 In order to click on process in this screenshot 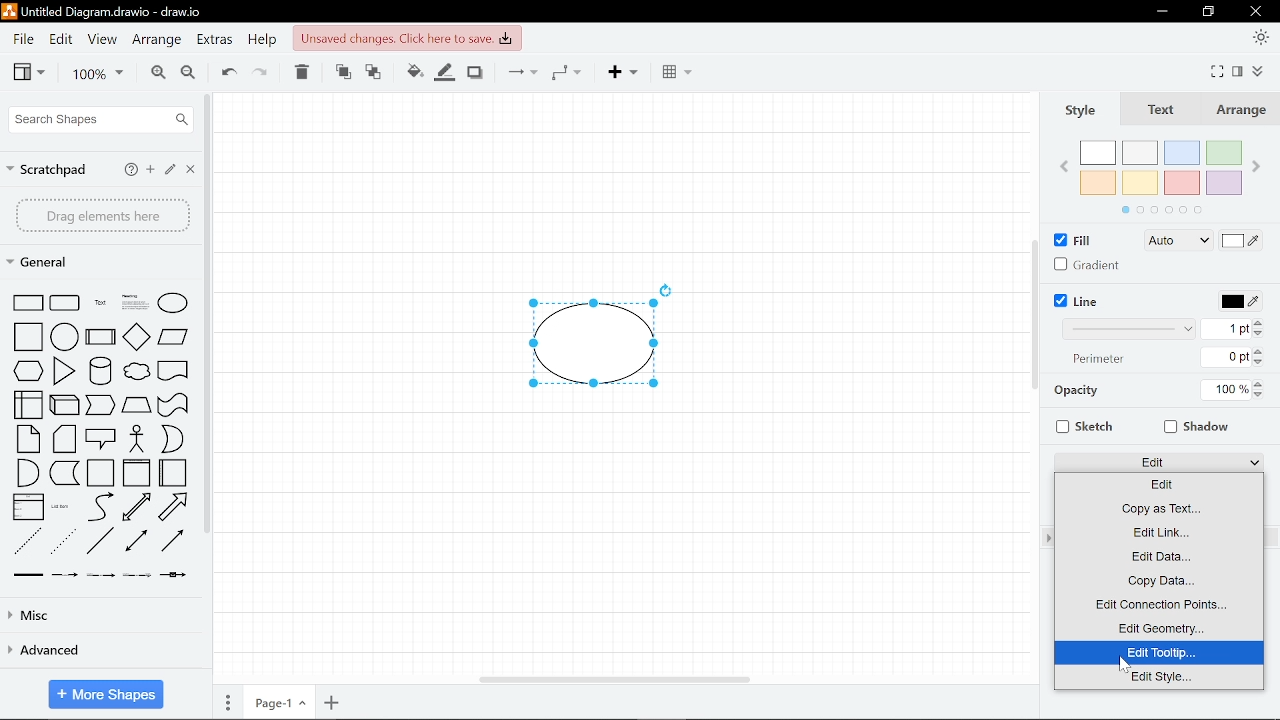, I will do `click(100, 337)`.